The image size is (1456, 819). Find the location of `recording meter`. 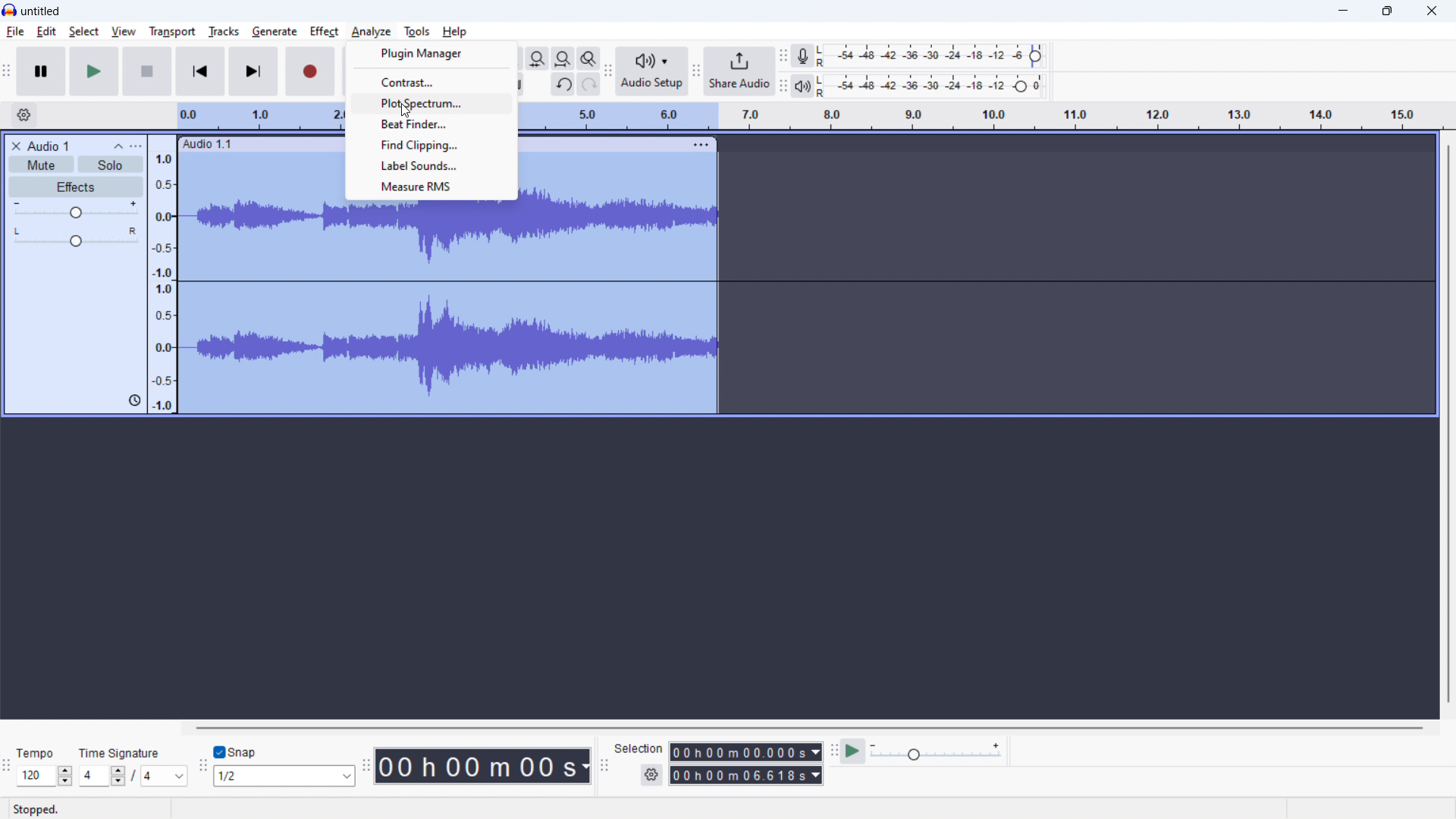

recording meter is located at coordinates (803, 55).